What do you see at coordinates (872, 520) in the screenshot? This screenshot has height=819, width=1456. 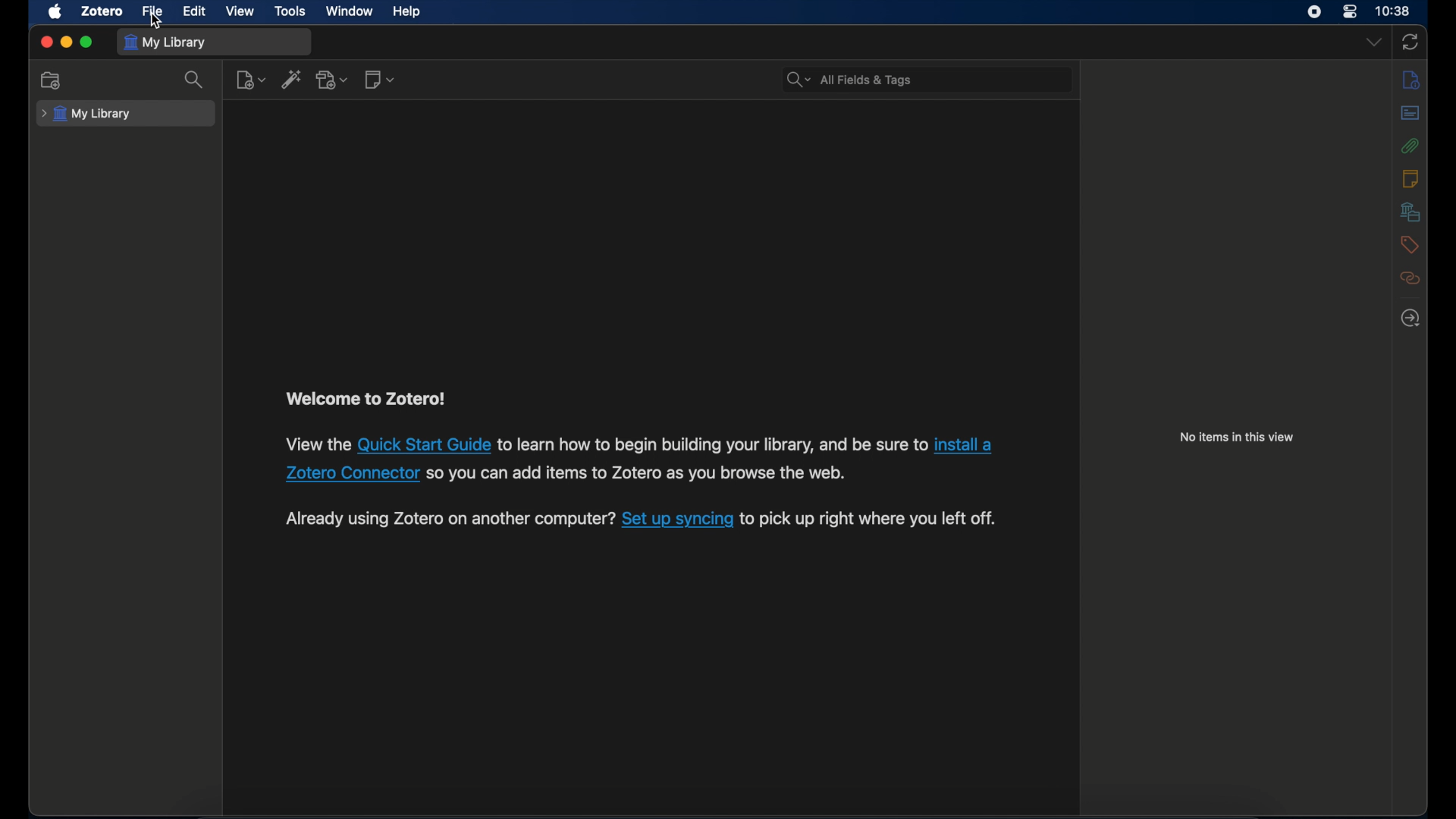 I see `to pick up right where you left off` at bounding box center [872, 520].